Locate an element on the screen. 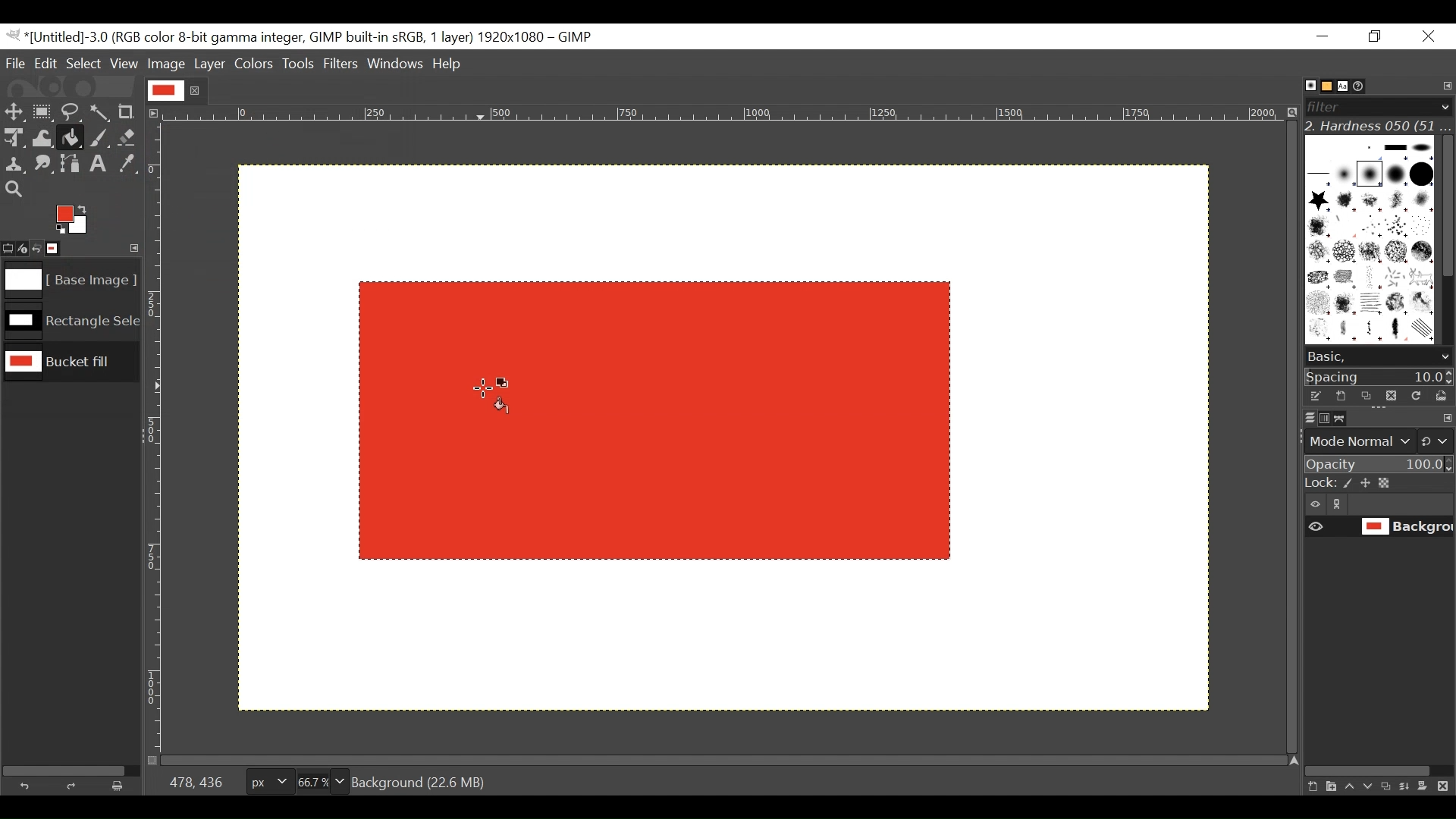 The height and width of the screenshot is (819, 1456). Open is located at coordinates (1438, 396).